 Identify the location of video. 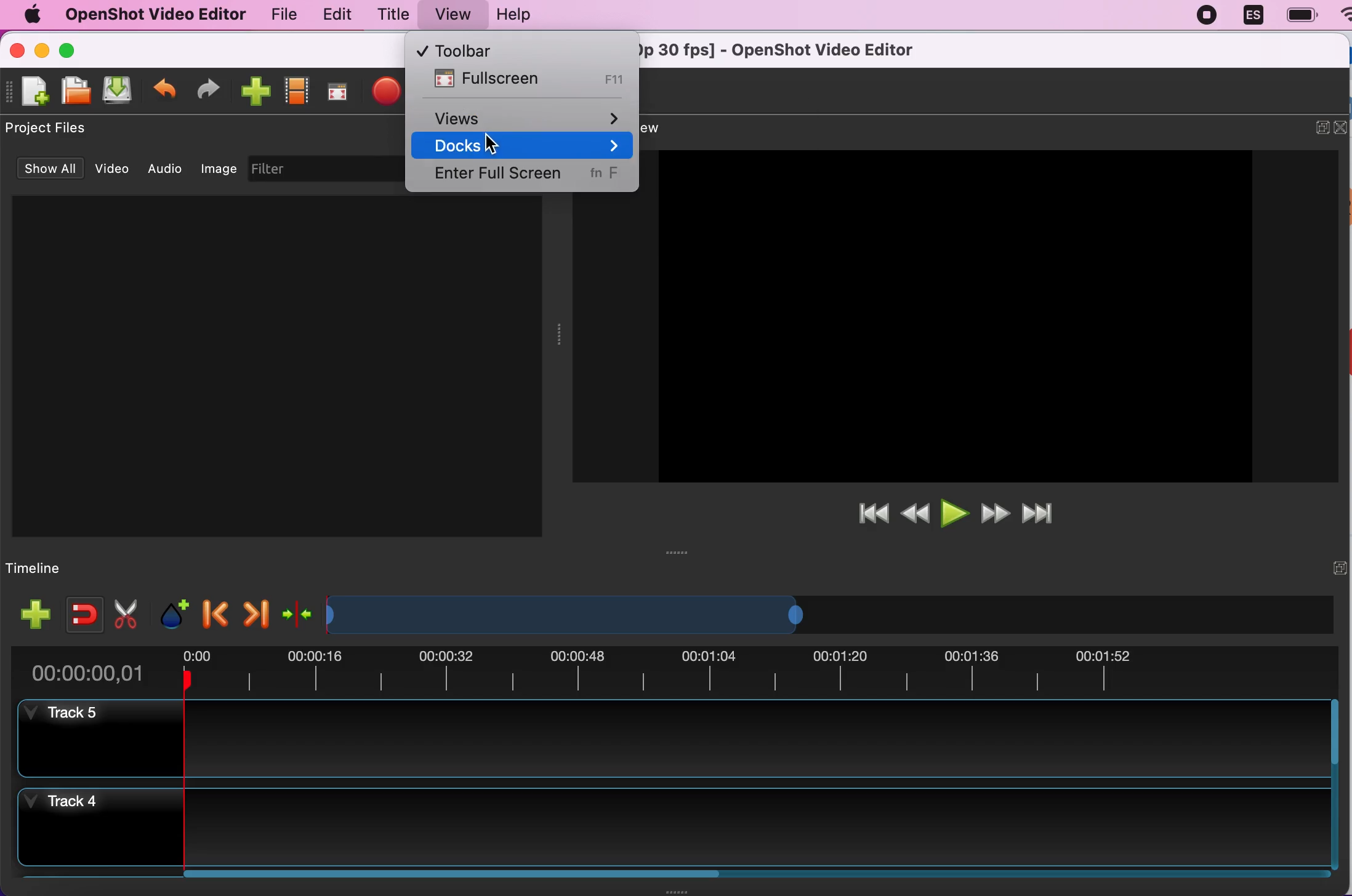
(113, 167).